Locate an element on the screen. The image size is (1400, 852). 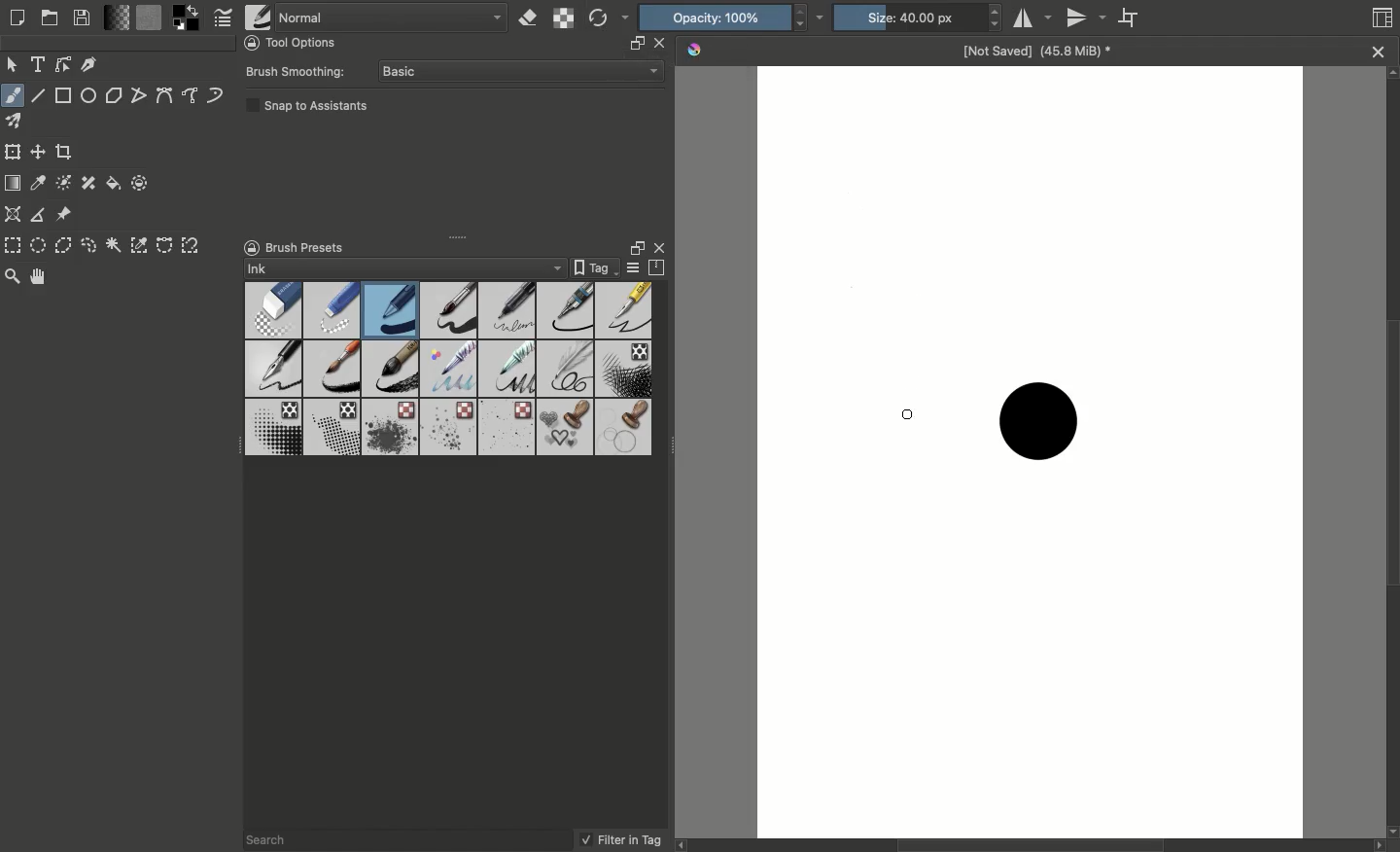
Line is located at coordinates (38, 95).